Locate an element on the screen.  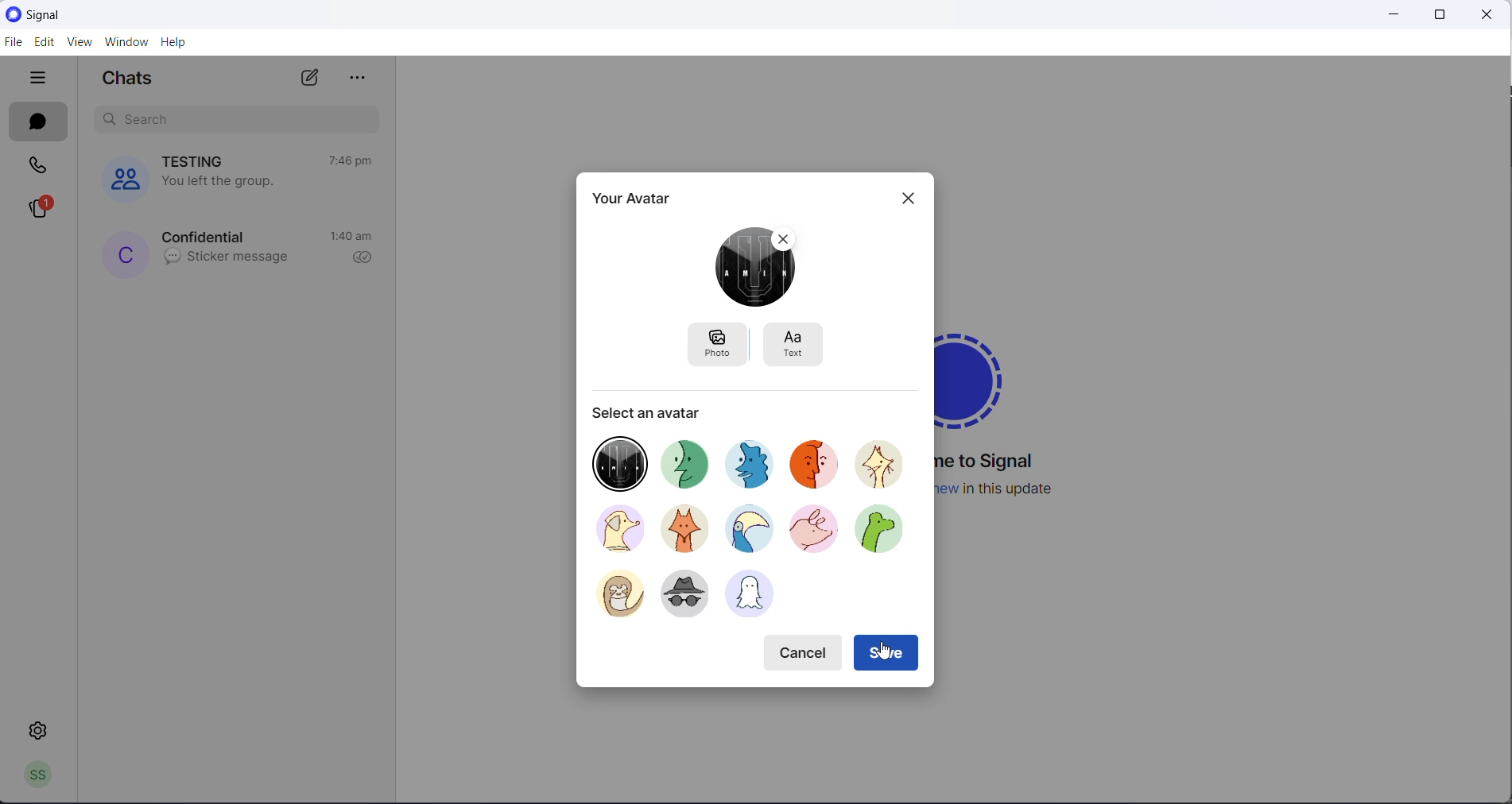
avatar is located at coordinates (682, 527).